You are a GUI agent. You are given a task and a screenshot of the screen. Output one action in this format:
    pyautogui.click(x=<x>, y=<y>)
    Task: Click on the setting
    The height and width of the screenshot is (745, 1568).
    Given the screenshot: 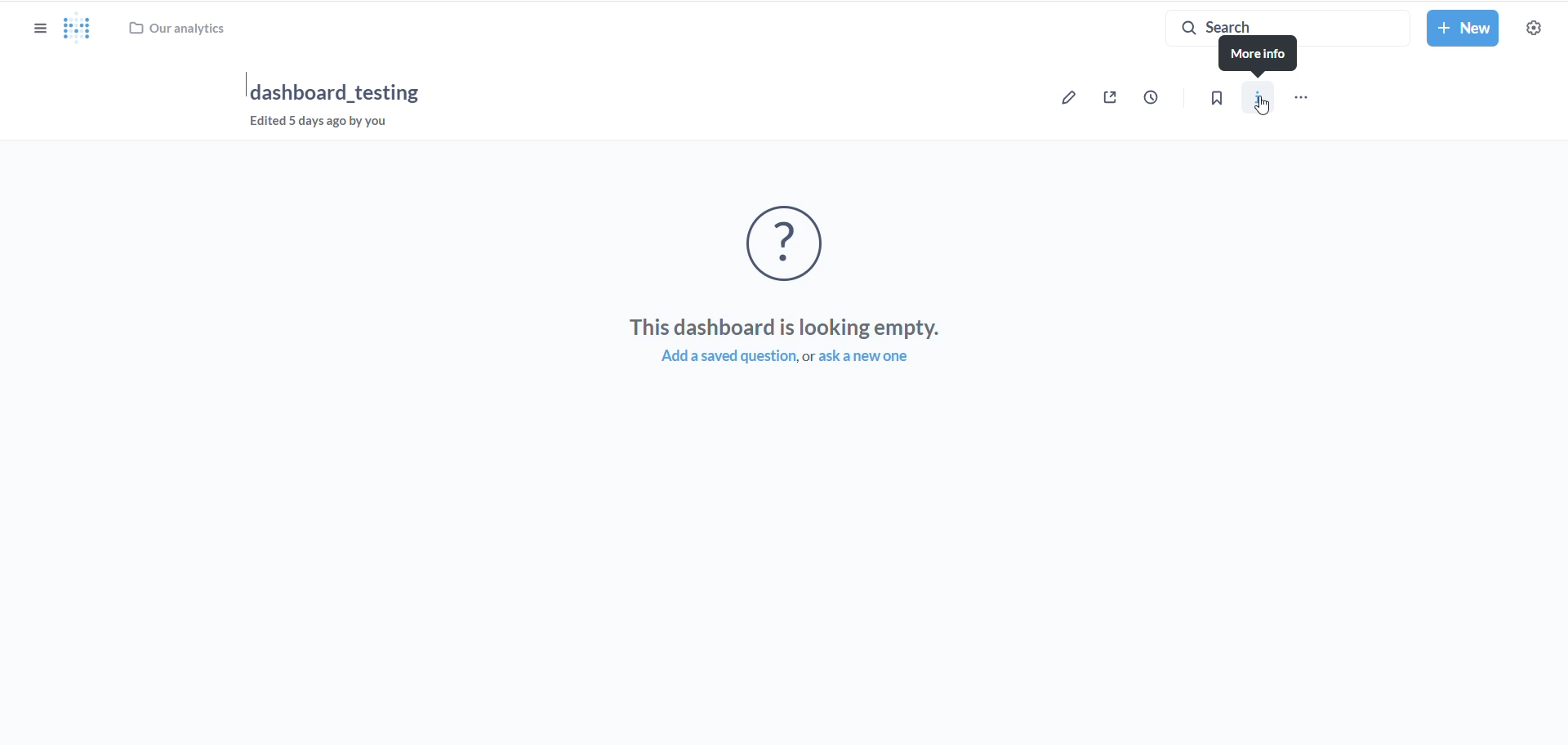 What is the action you would take?
    pyautogui.click(x=1535, y=31)
    